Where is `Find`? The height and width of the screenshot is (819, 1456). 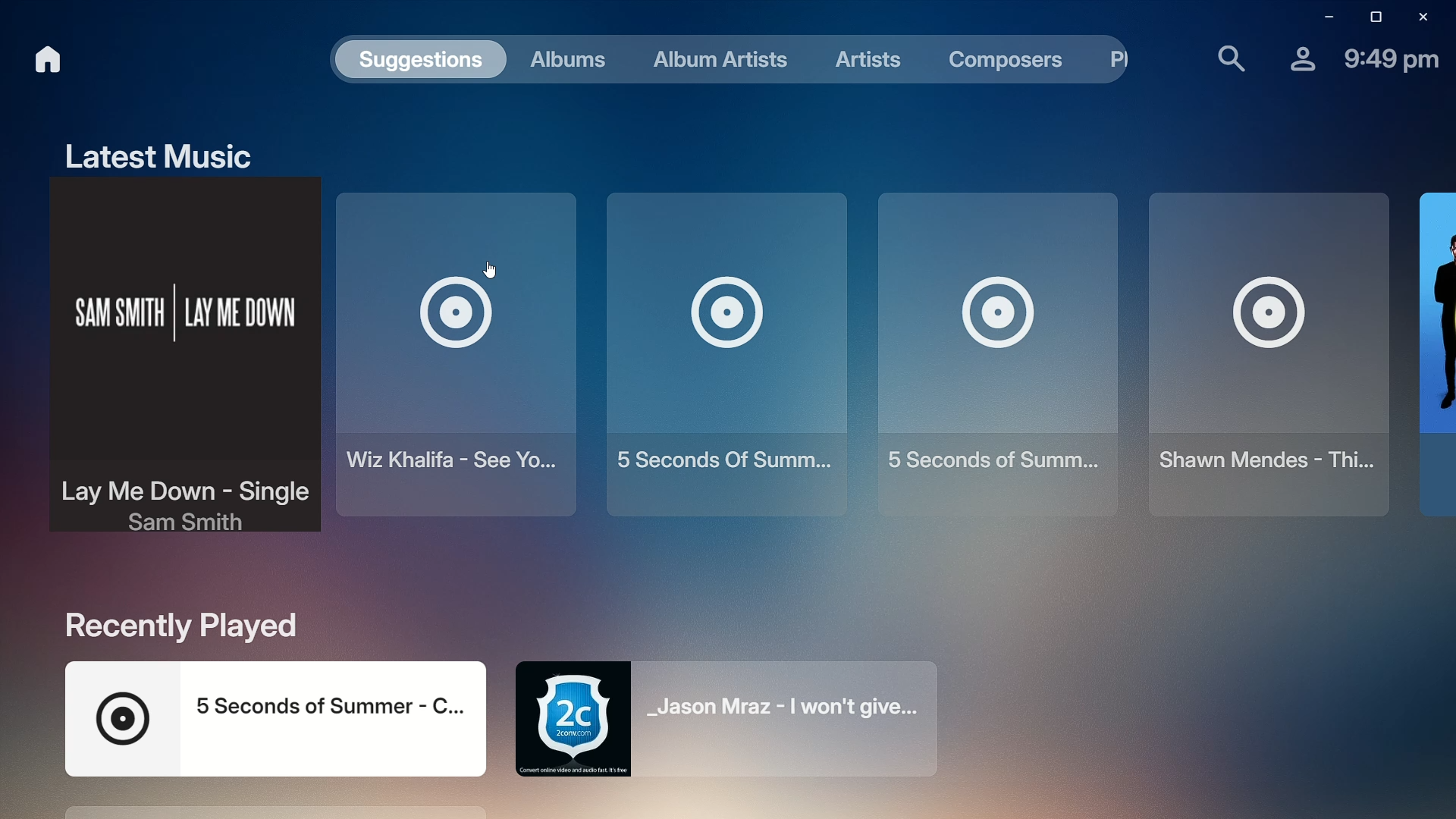
Find is located at coordinates (1222, 56).